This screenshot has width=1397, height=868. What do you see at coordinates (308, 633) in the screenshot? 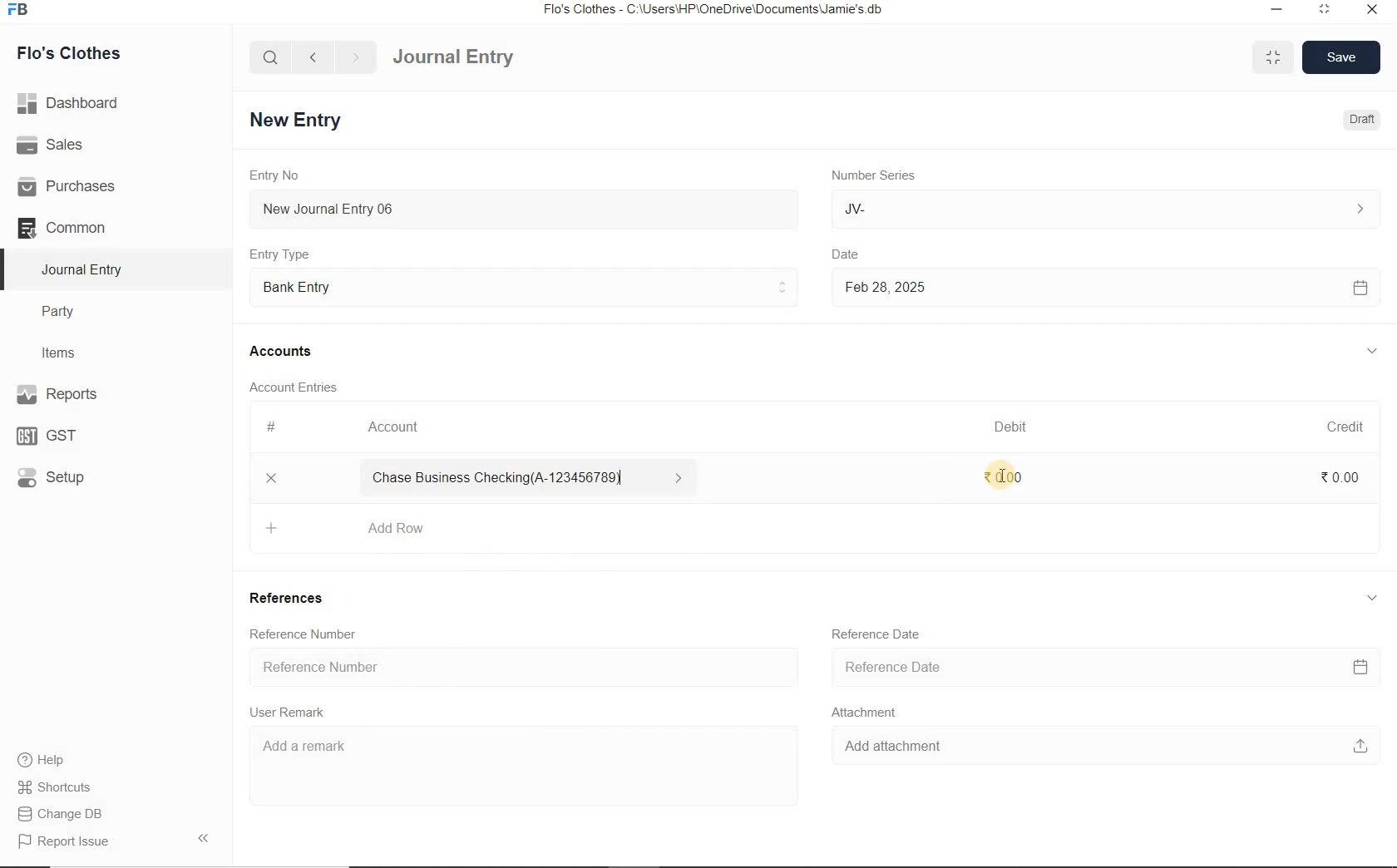
I see `Reference Number` at bounding box center [308, 633].